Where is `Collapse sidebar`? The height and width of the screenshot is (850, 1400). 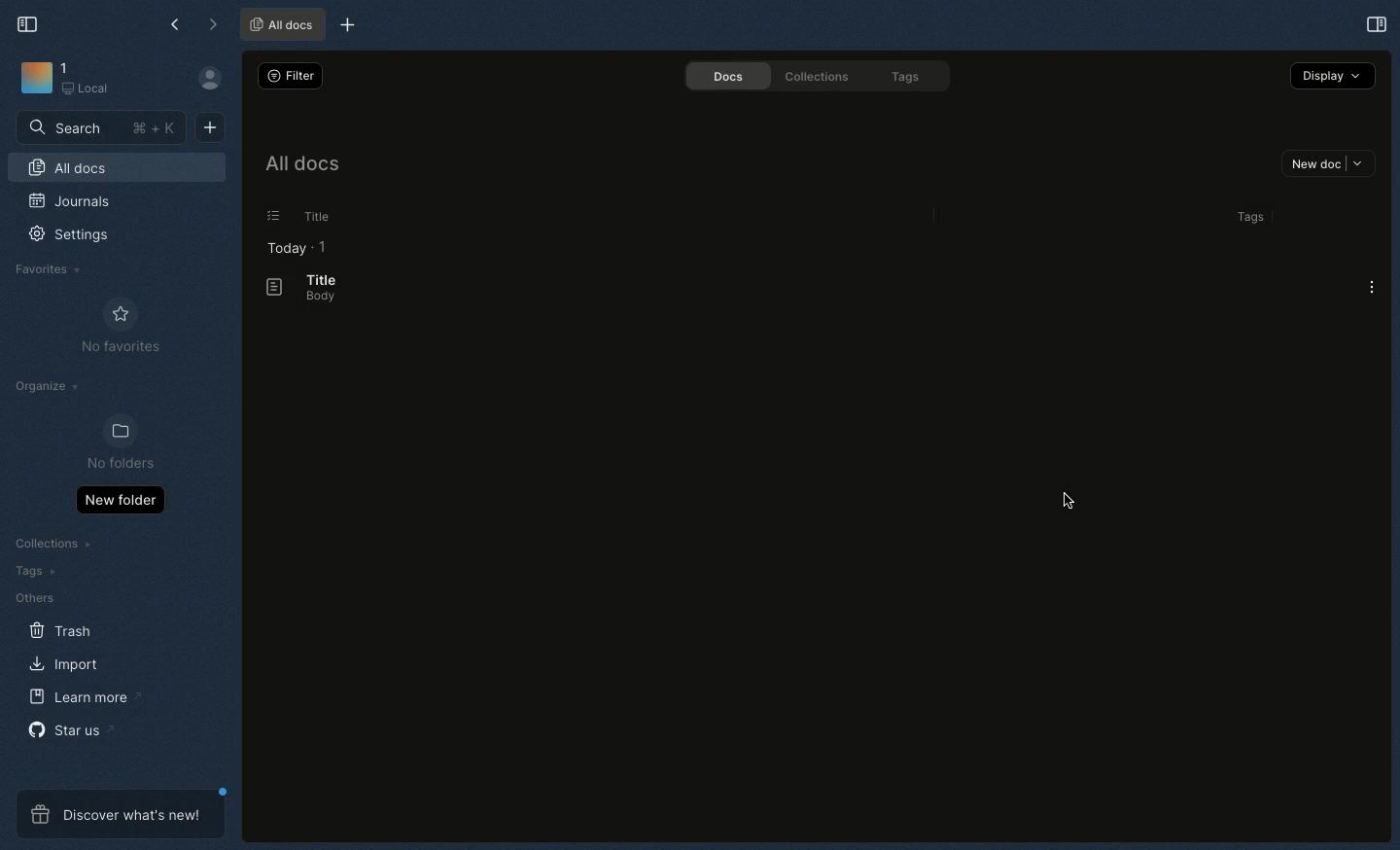
Collapse sidebar is located at coordinates (28, 22).